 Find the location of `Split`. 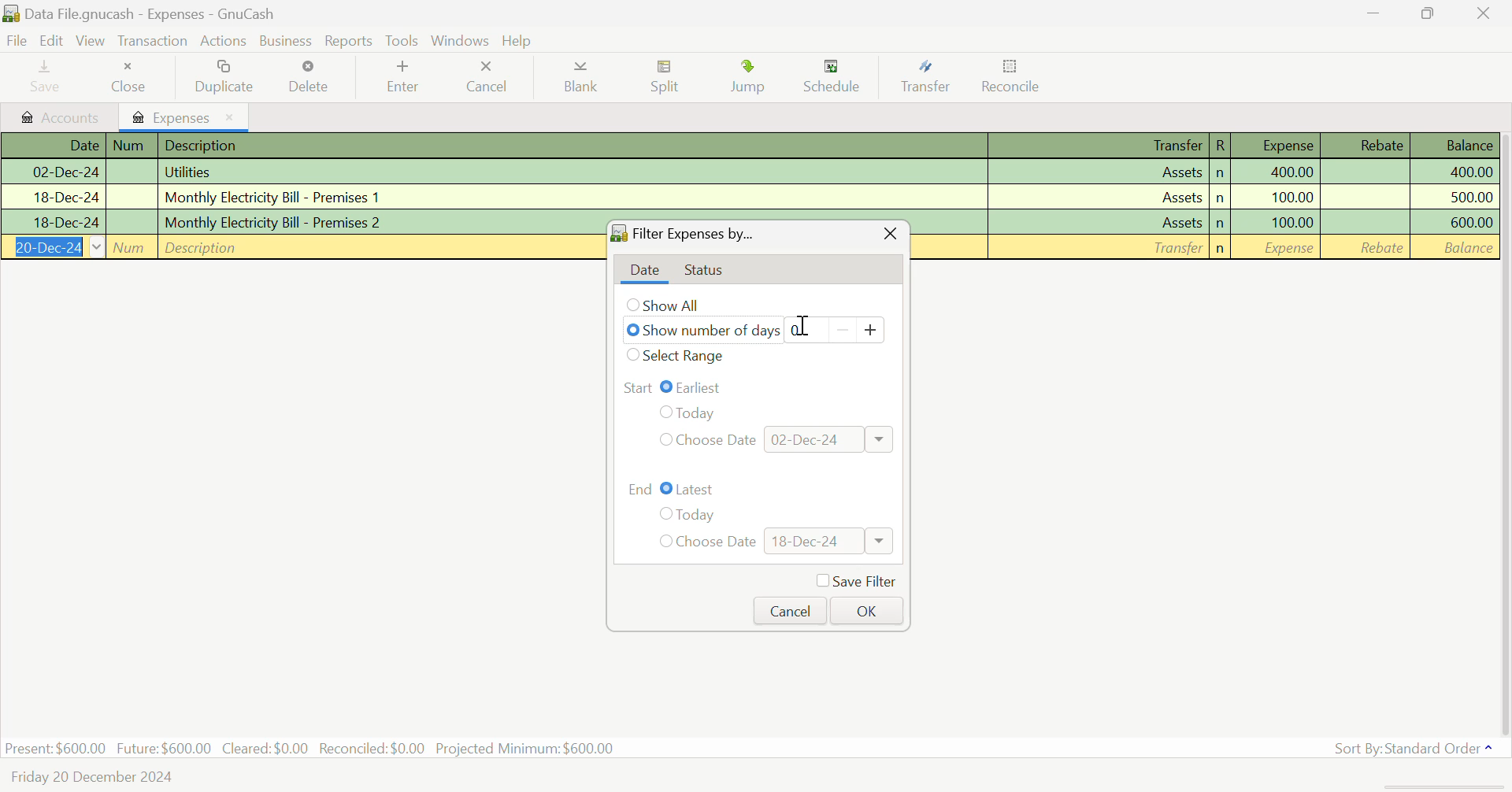

Split is located at coordinates (668, 79).